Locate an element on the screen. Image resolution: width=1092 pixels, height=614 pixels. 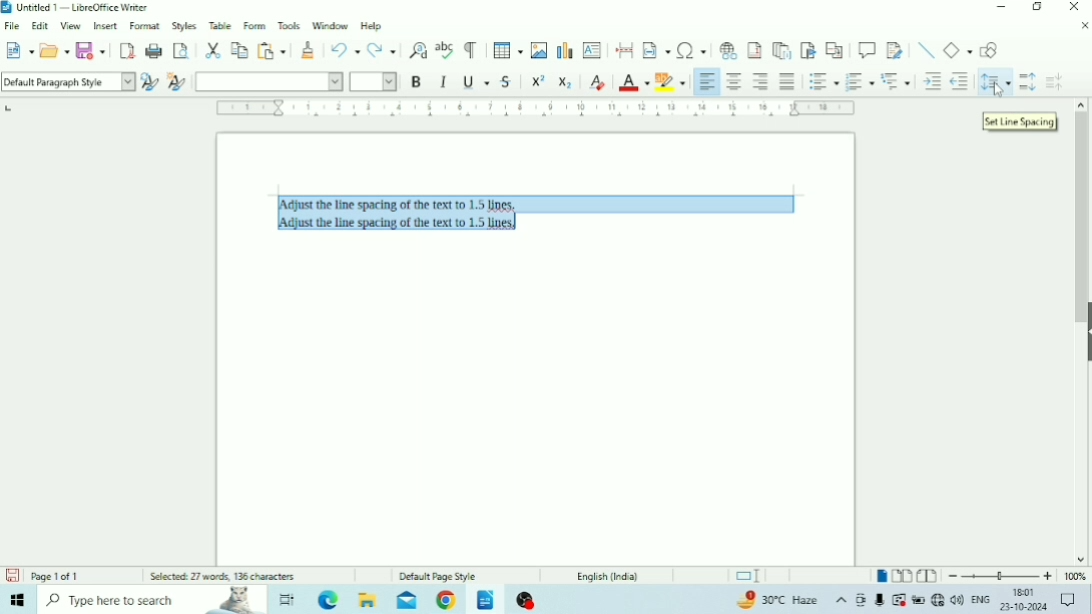
Close is located at coordinates (1075, 7).